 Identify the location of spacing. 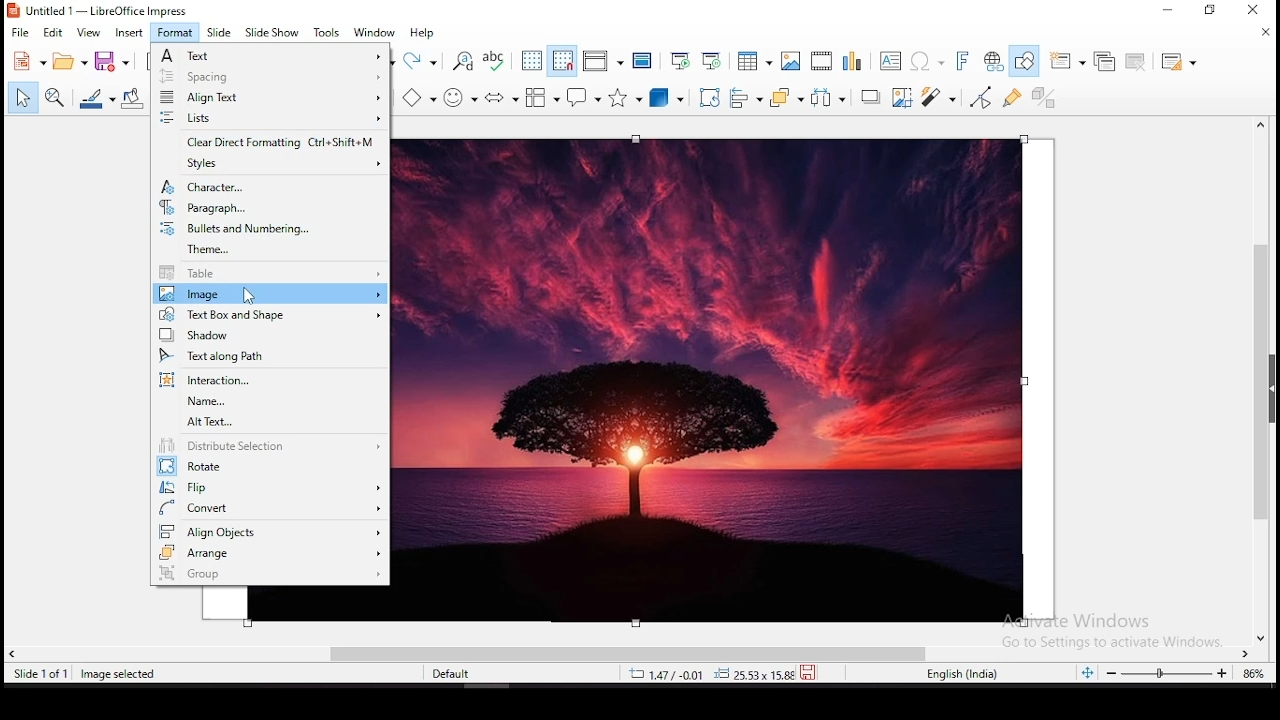
(270, 77).